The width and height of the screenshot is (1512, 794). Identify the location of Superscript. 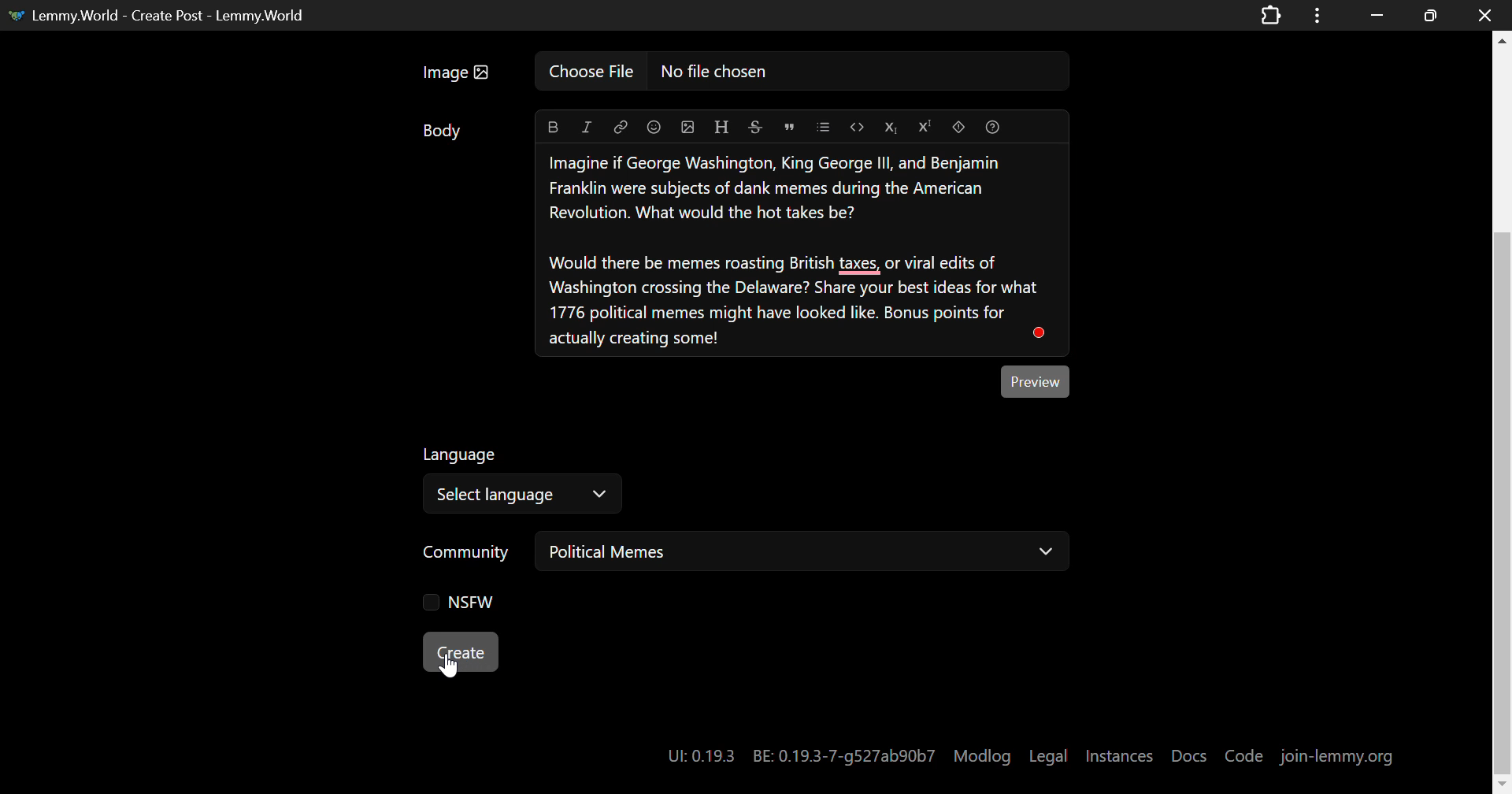
(925, 128).